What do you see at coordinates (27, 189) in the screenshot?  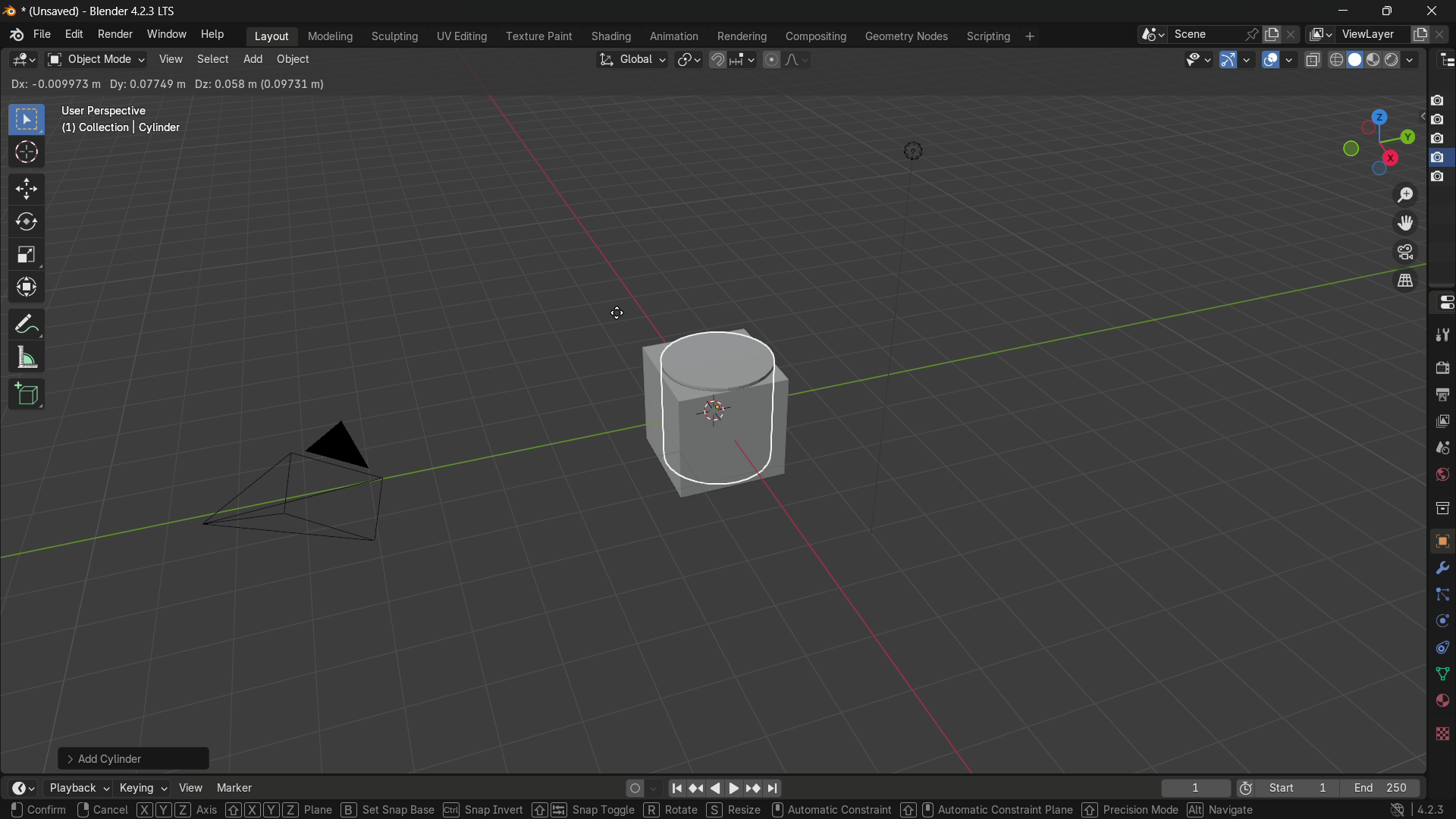 I see `move` at bounding box center [27, 189].